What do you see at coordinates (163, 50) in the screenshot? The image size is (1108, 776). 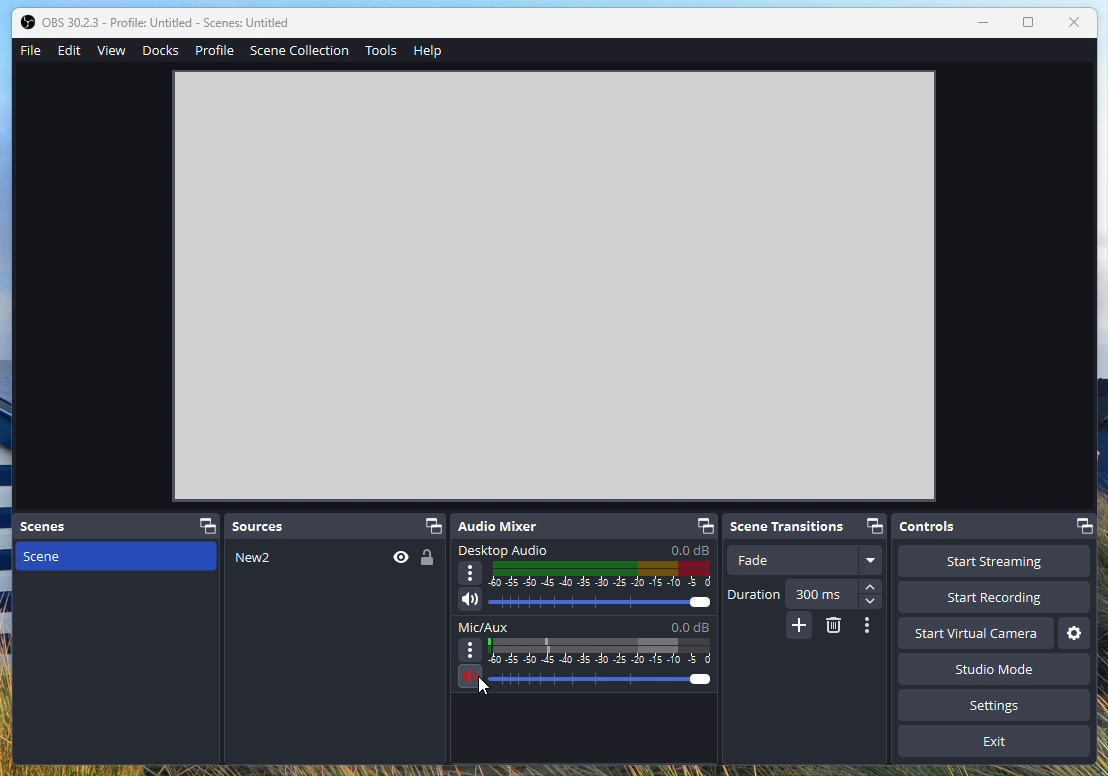 I see `Docks` at bounding box center [163, 50].